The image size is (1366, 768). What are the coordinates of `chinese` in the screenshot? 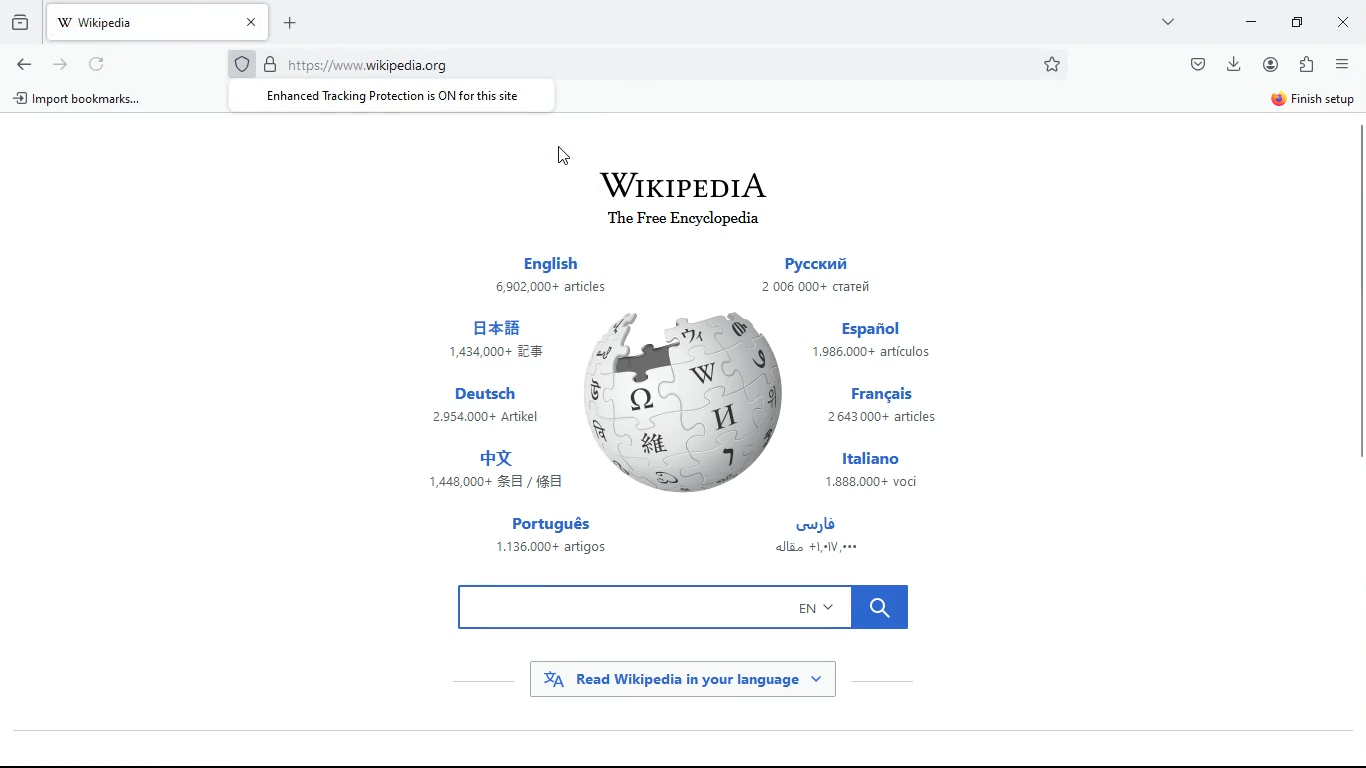 It's located at (496, 342).